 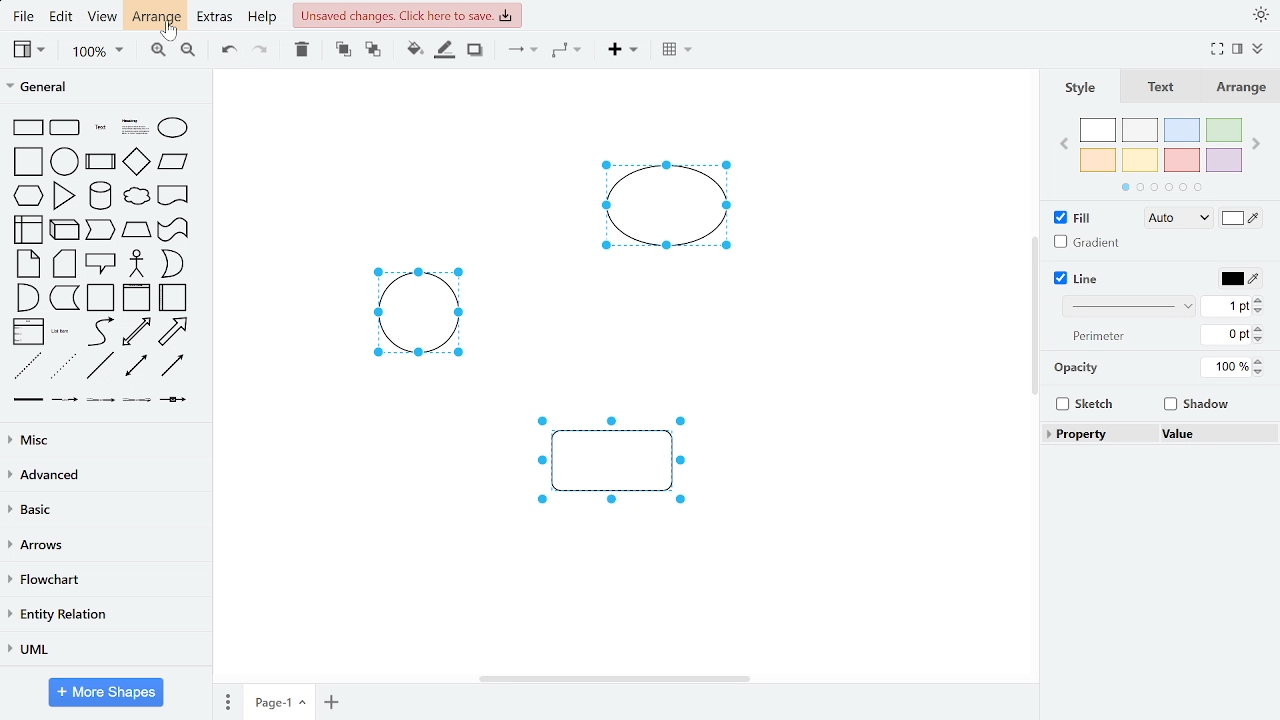 What do you see at coordinates (137, 162) in the screenshot?
I see `diamond` at bounding box center [137, 162].